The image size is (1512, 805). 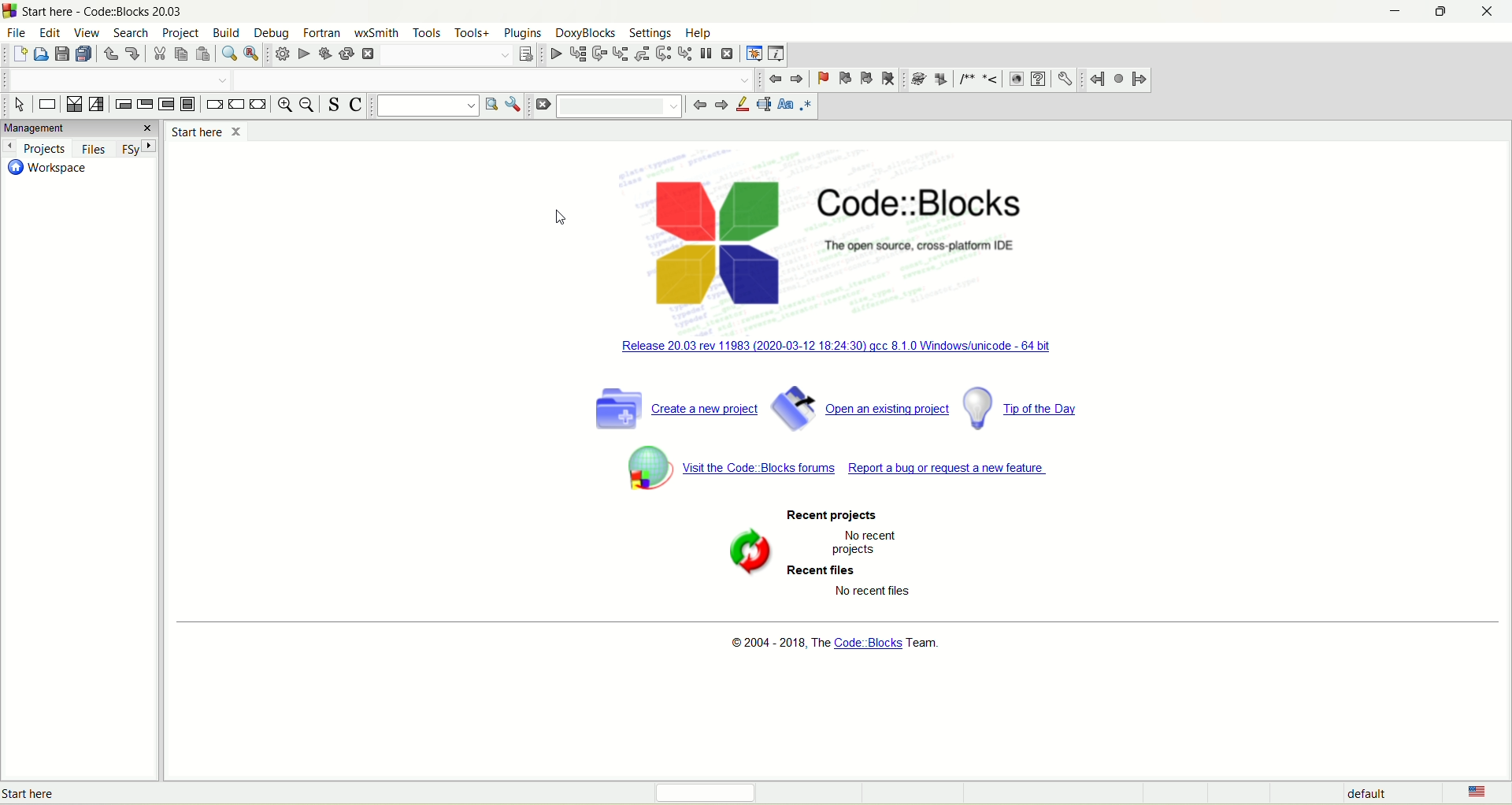 What do you see at coordinates (281, 54) in the screenshot?
I see `build` at bounding box center [281, 54].